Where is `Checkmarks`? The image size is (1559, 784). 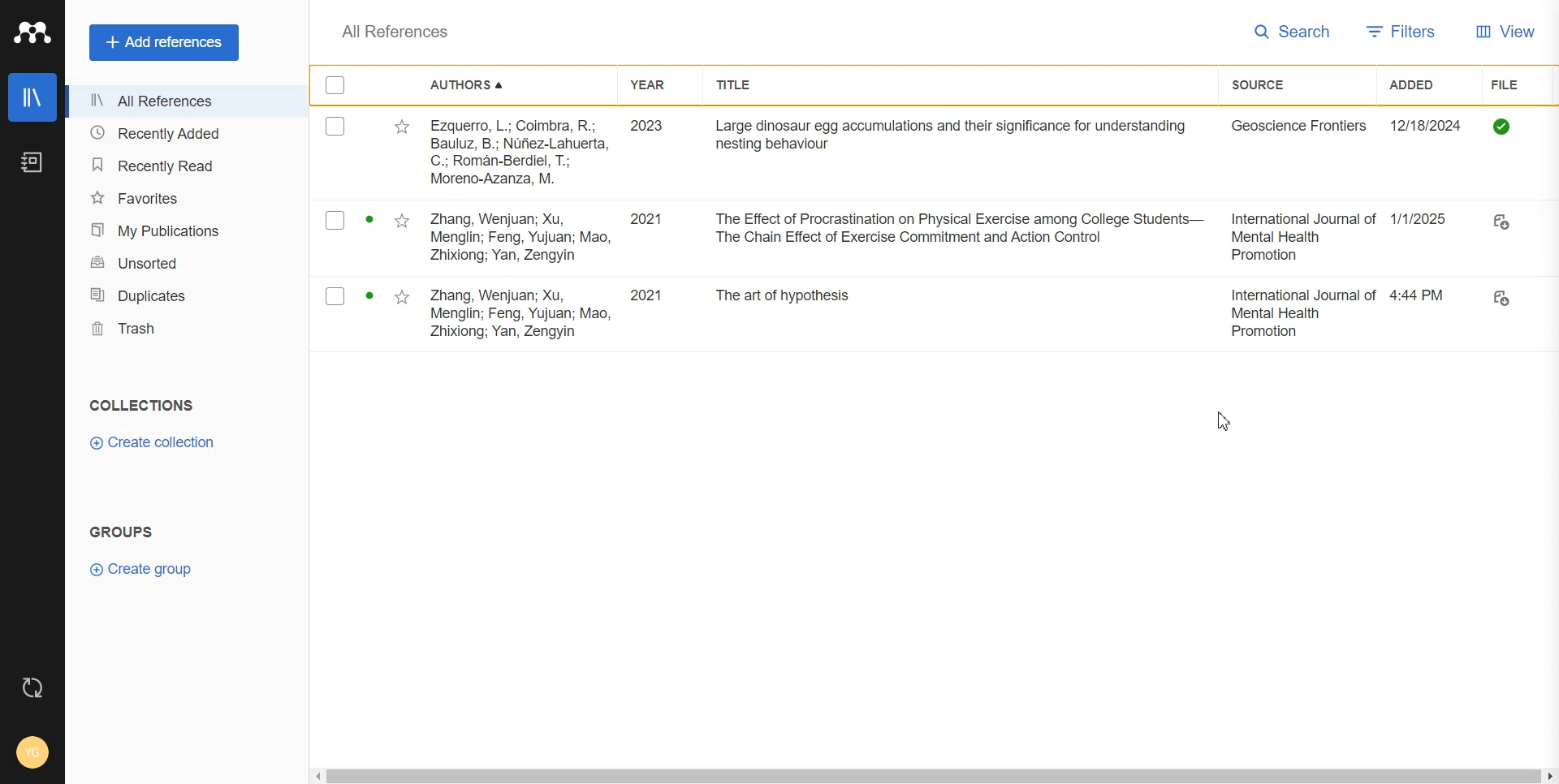
Checkmarks is located at coordinates (336, 85).